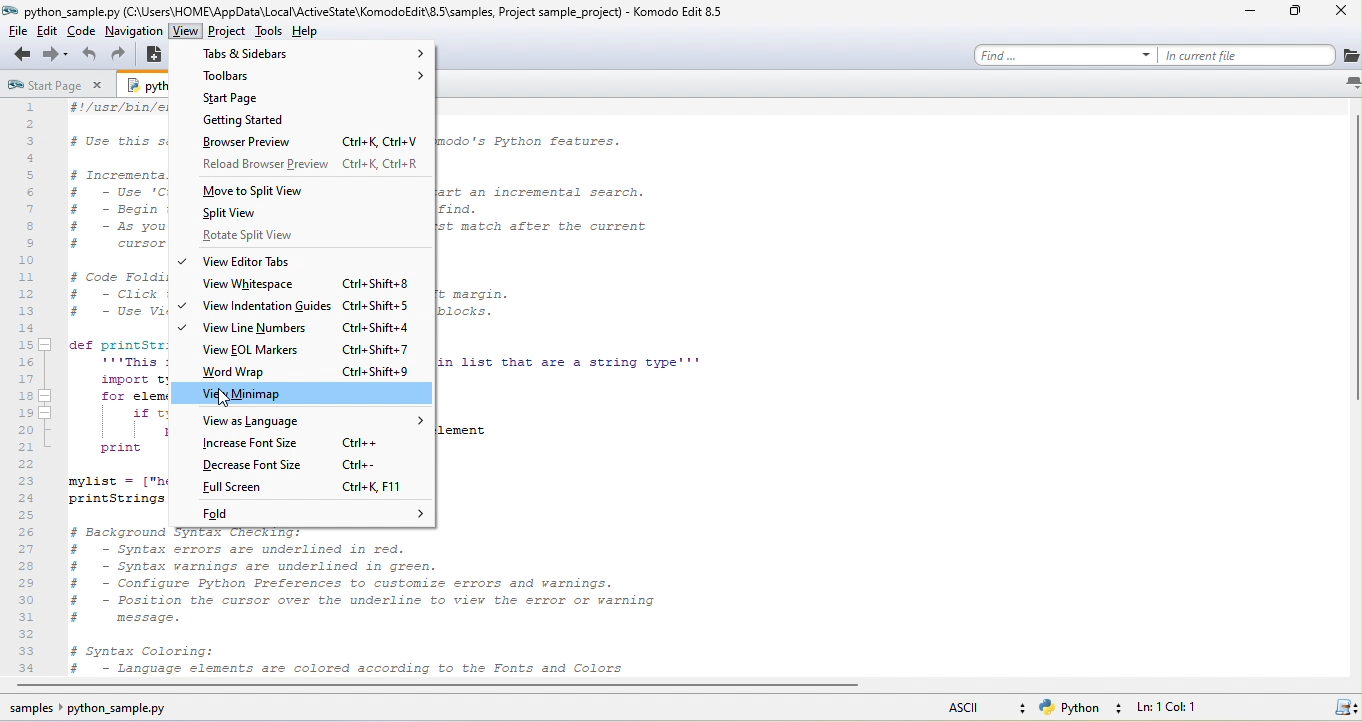 Image resolution: width=1362 pixels, height=722 pixels. Describe the element at coordinates (1342, 708) in the screenshot. I see `syntax checking status` at that location.